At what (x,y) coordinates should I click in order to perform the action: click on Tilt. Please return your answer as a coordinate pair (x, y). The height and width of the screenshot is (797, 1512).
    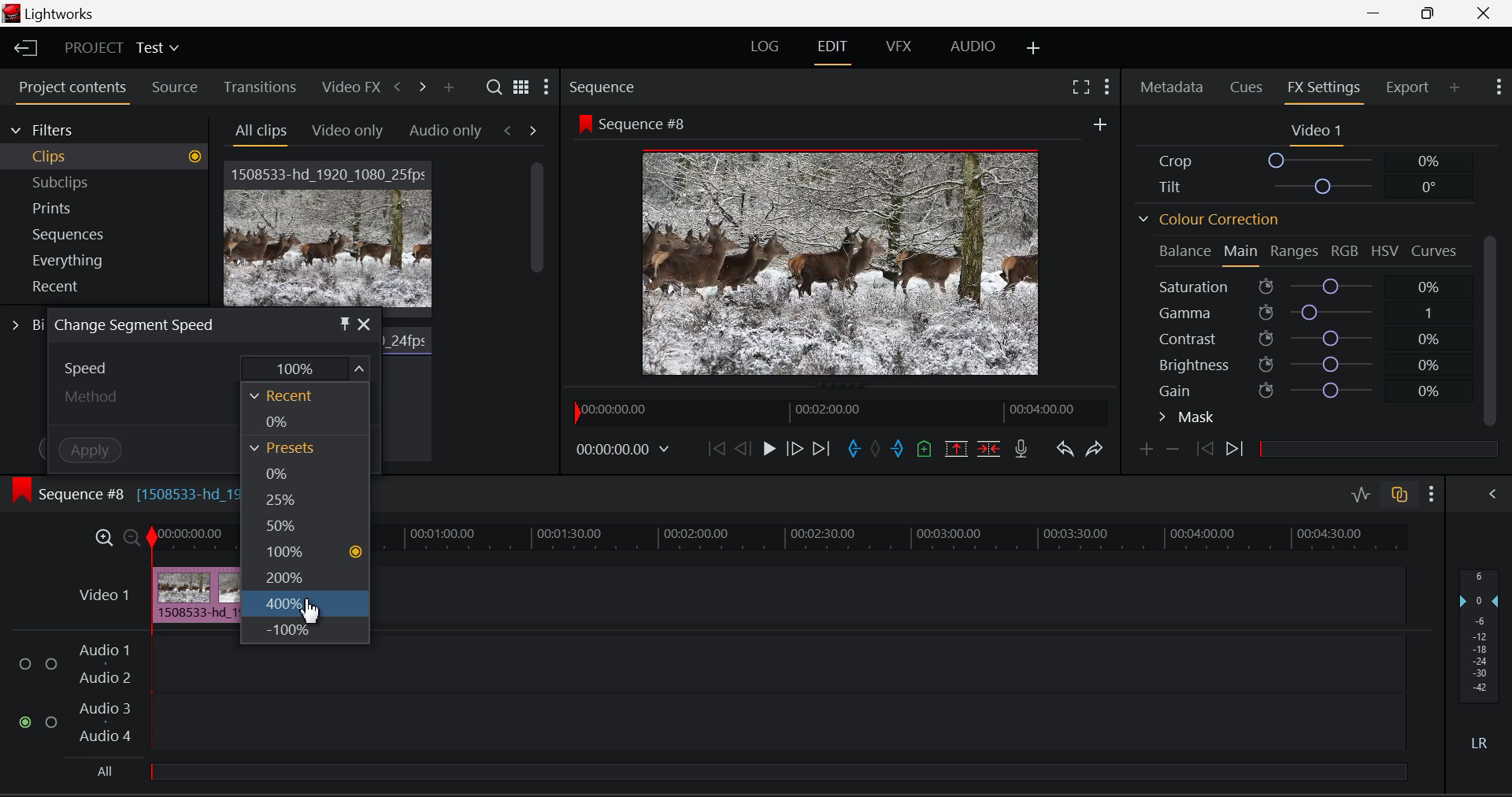
    Looking at the image, I should click on (1299, 187).